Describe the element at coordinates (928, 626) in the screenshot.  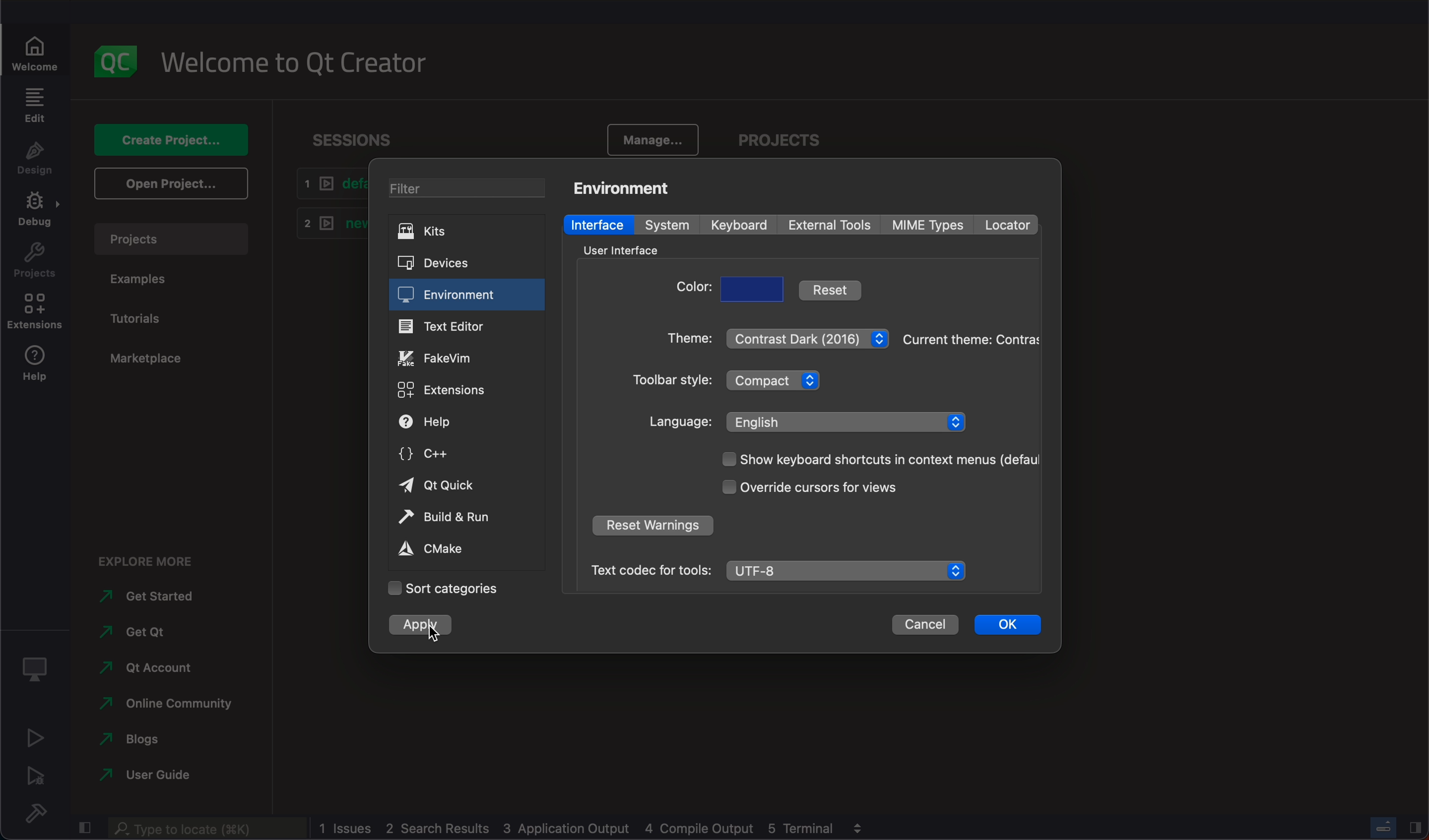
I see `cancel` at that location.